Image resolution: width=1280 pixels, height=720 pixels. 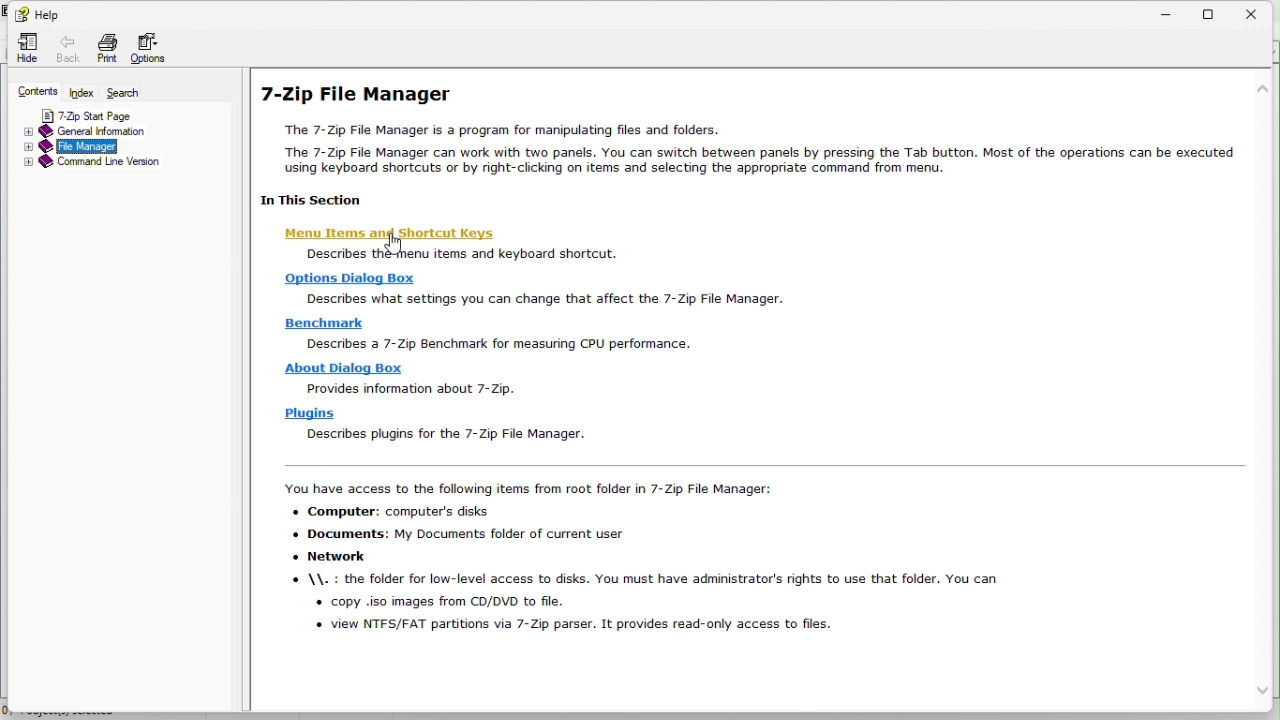 What do you see at coordinates (409, 391) in the screenshot?
I see `Provides information about 7-zip` at bounding box center [409, 391].